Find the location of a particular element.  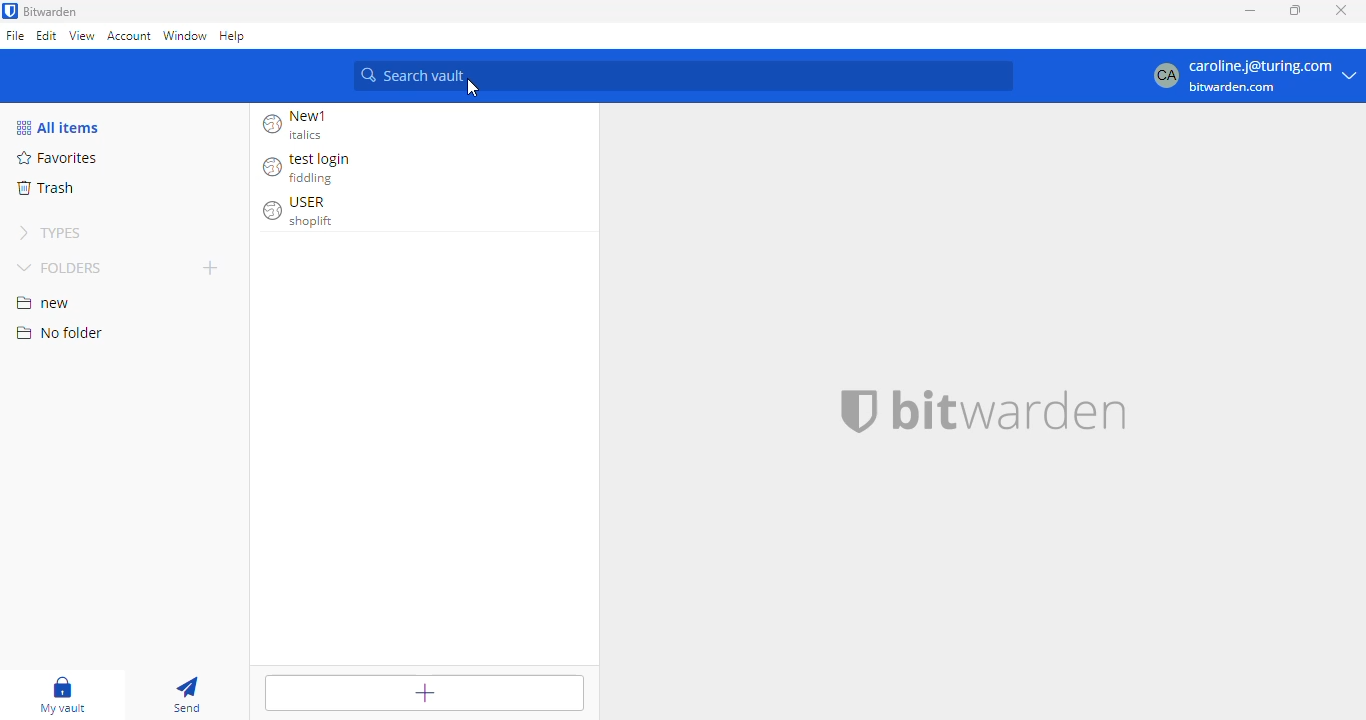

file is located at coordinates (15, 35).